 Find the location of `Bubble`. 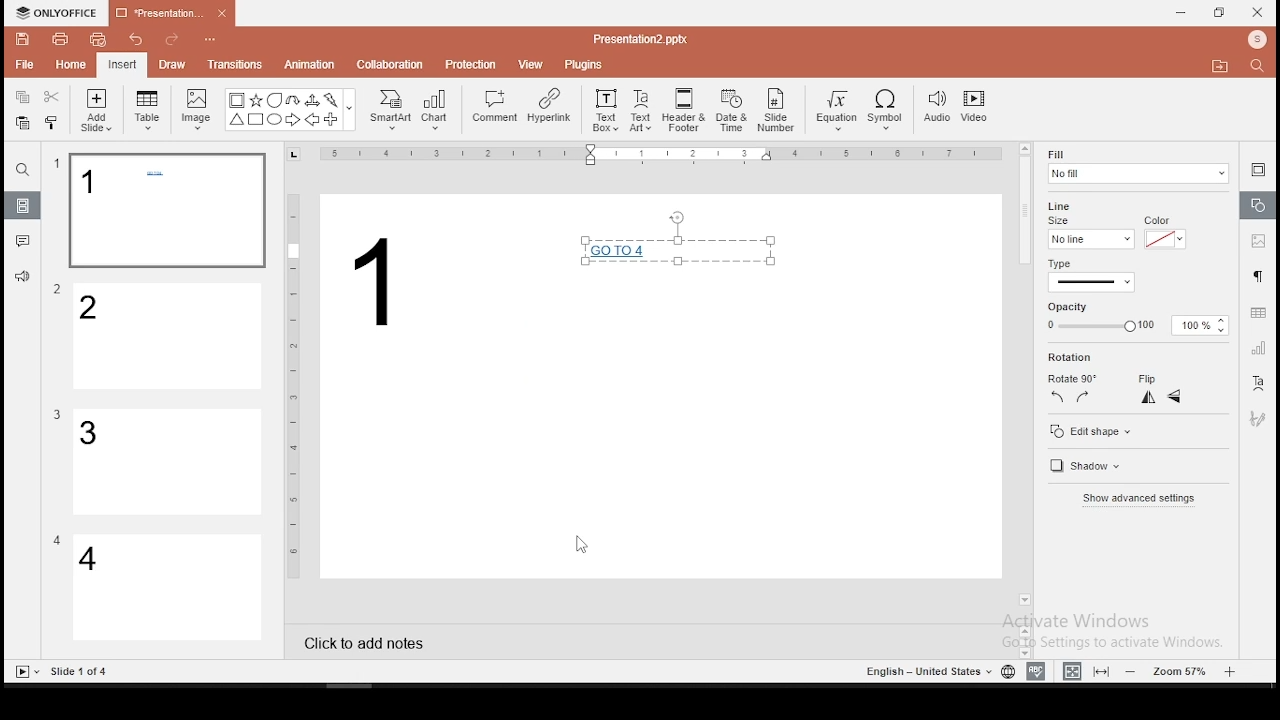

Bubble is located at coordinates (274, 100).